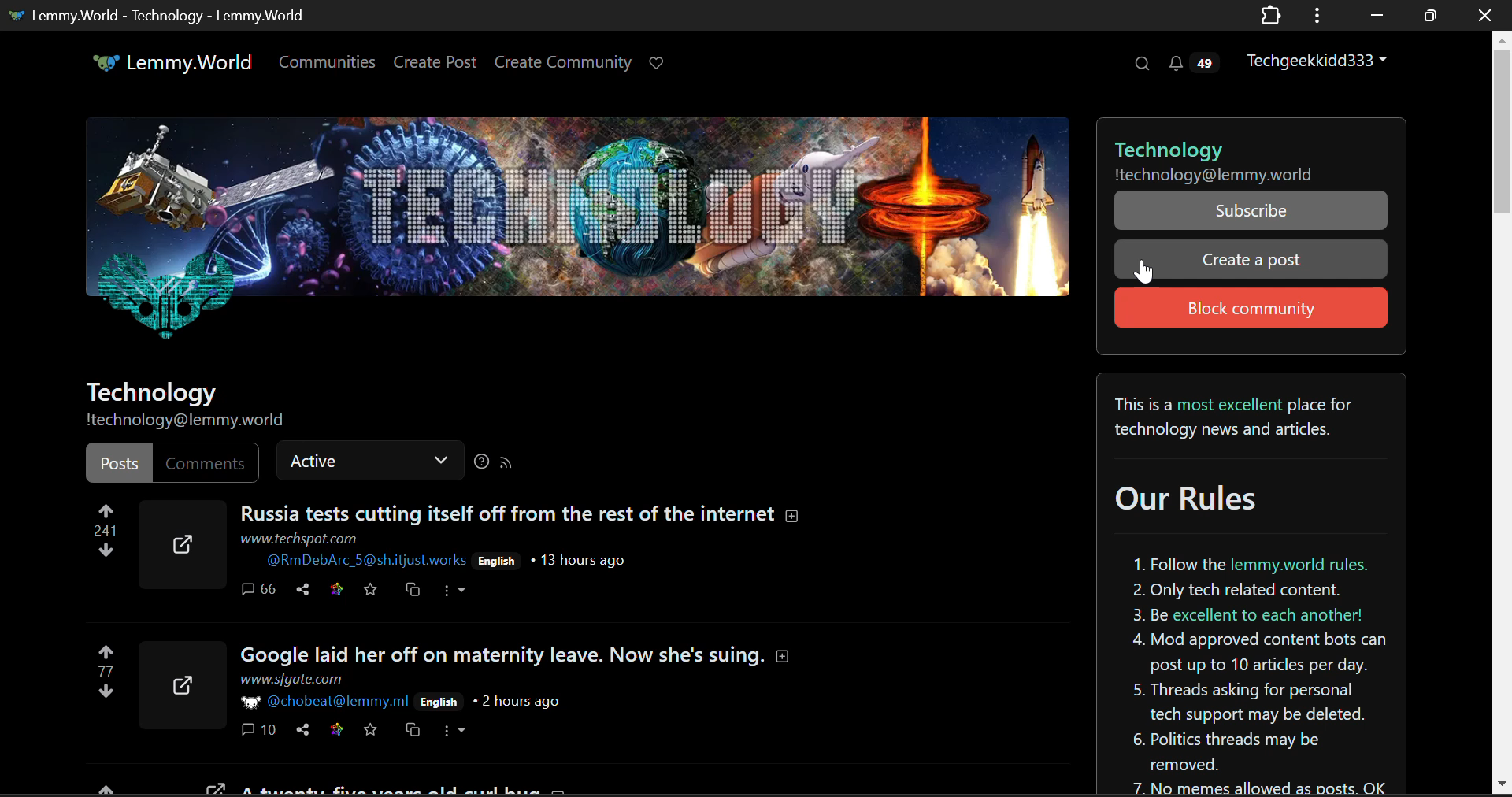  What do you see at coordinates (1253, 584) in the screenshot?
I see `Community Rules` at bounding box center [1253, 584].